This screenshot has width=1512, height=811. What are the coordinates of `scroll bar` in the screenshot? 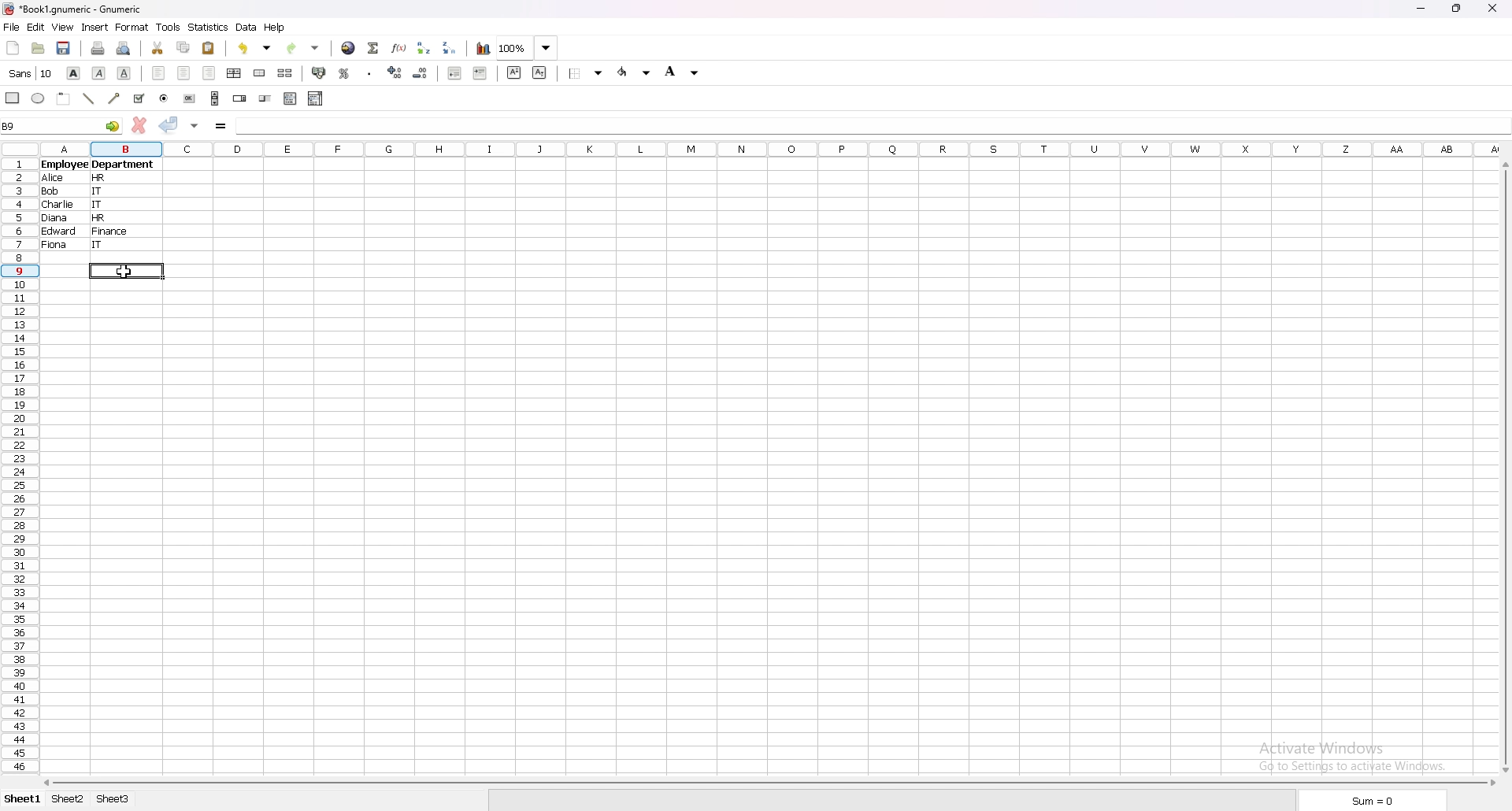 It's located at (770, 782).